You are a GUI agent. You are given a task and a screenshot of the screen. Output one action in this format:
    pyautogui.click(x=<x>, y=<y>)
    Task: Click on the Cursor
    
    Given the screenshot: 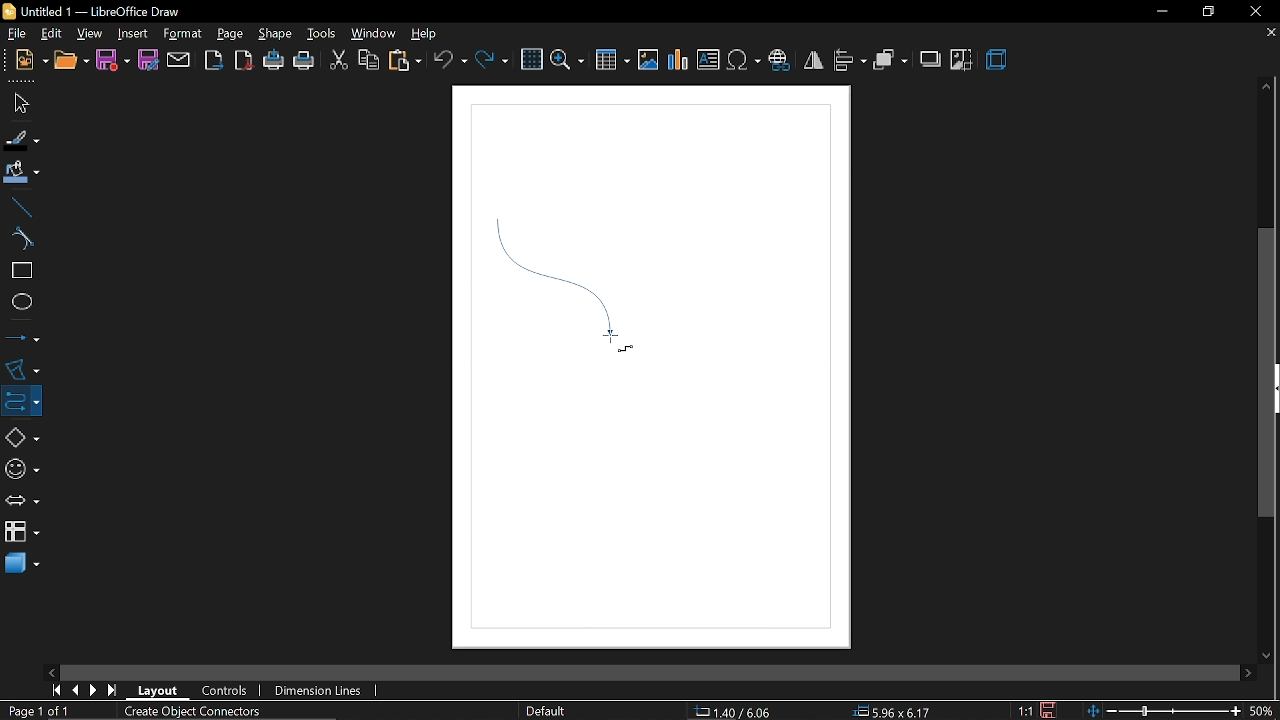 What is the action you would take?
    pyautogui.click(x=614, y=344)
    